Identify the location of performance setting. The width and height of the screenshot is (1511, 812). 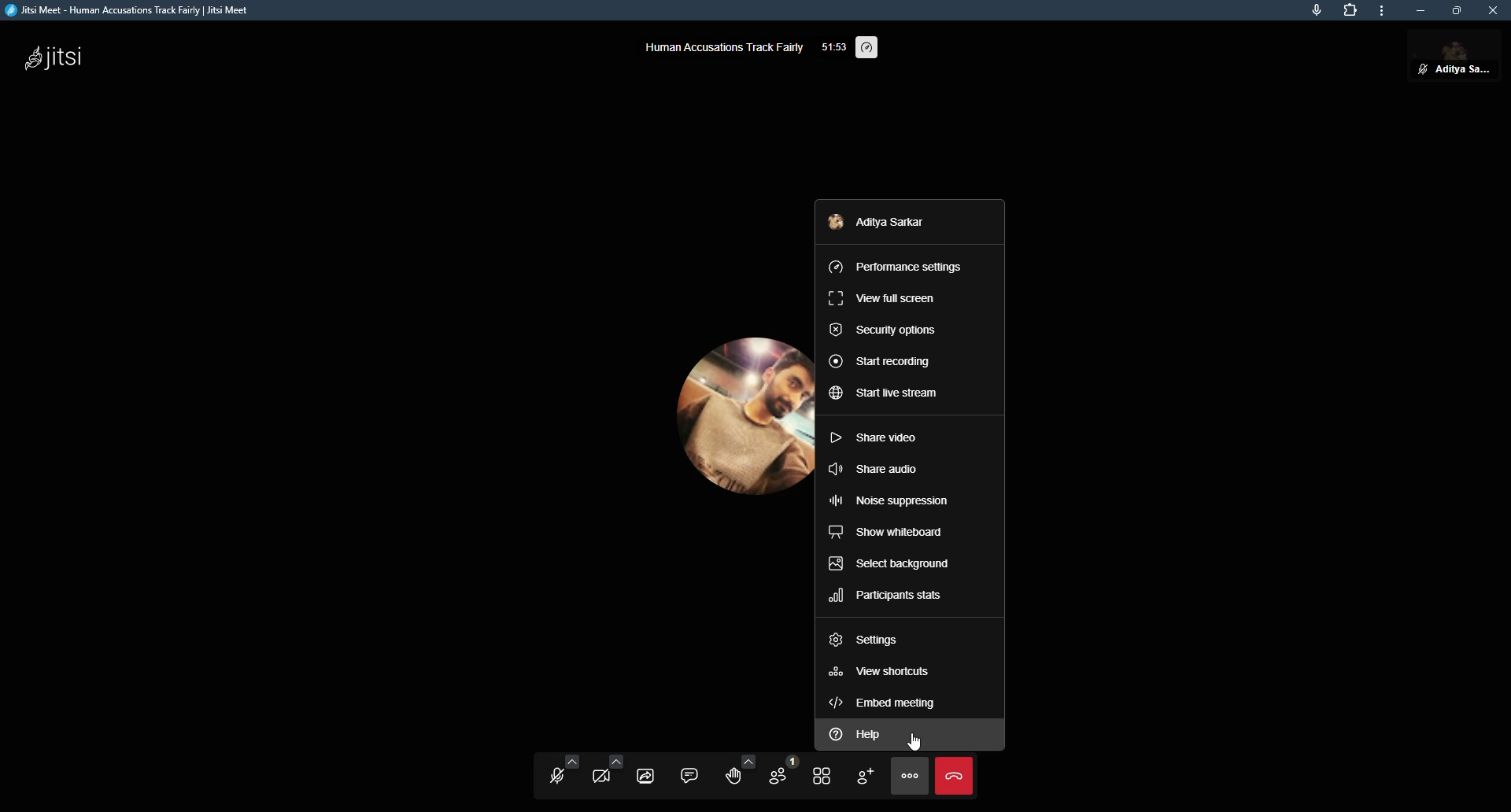
(872, 46).